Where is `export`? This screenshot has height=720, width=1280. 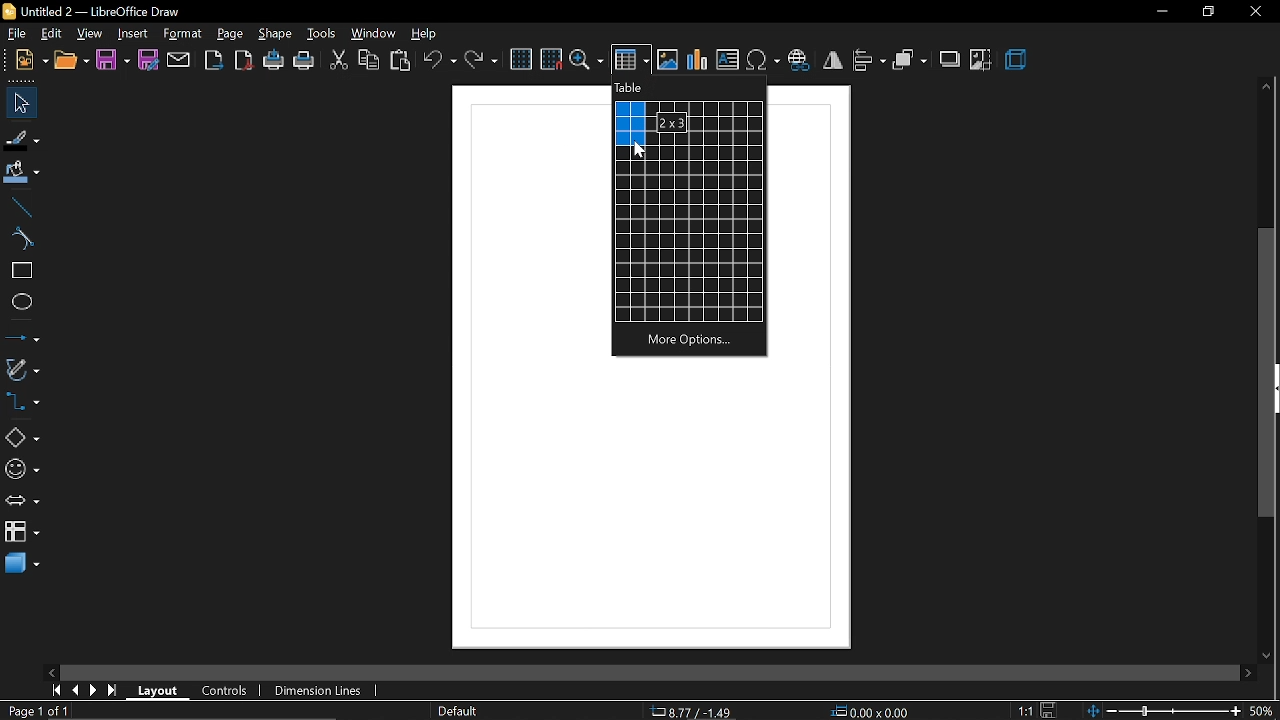 export is located at coordinates (214, 61).